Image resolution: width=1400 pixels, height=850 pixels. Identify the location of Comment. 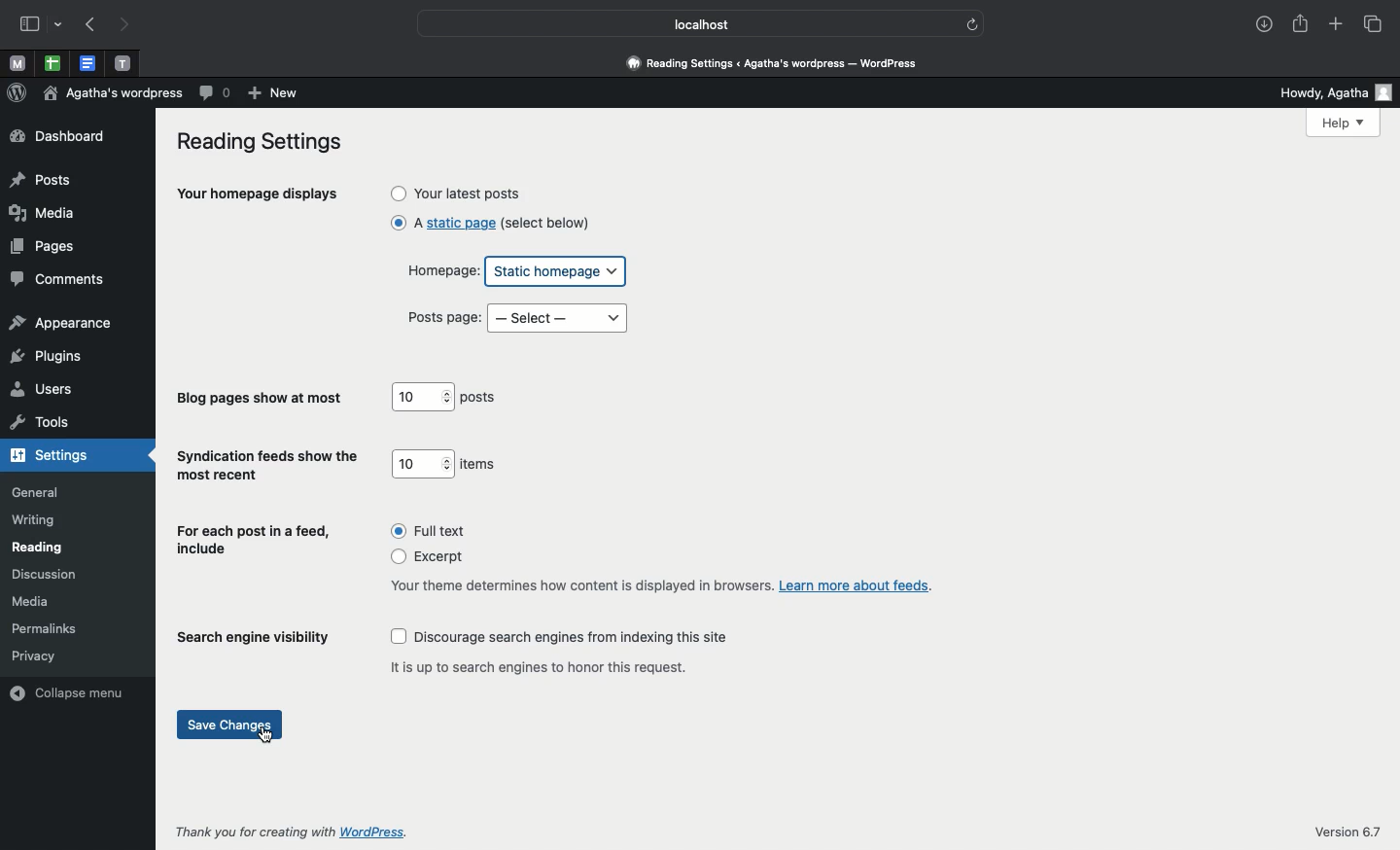
(216, 93).